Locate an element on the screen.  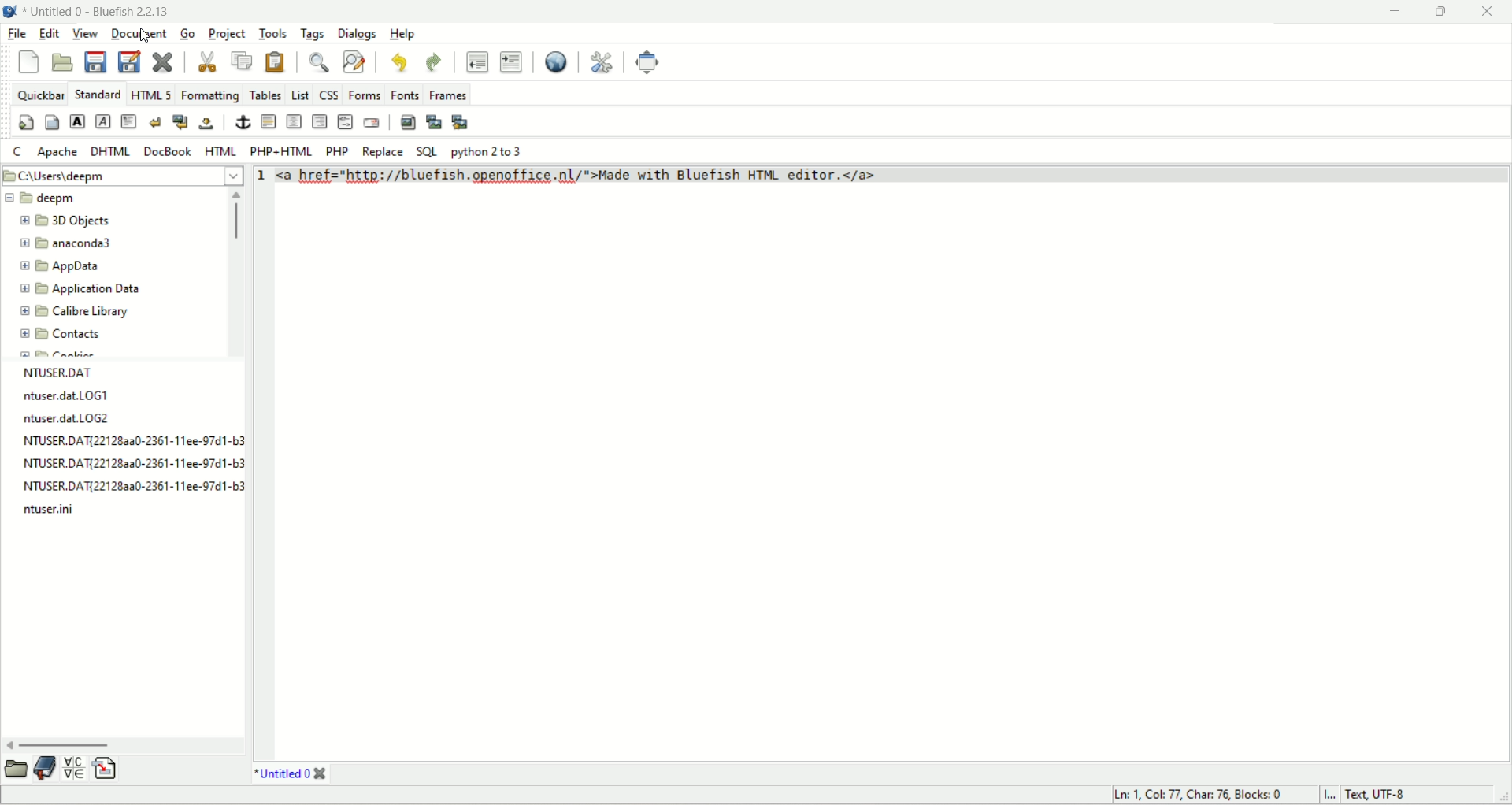
emphasize is located at coordinates (102, 120).